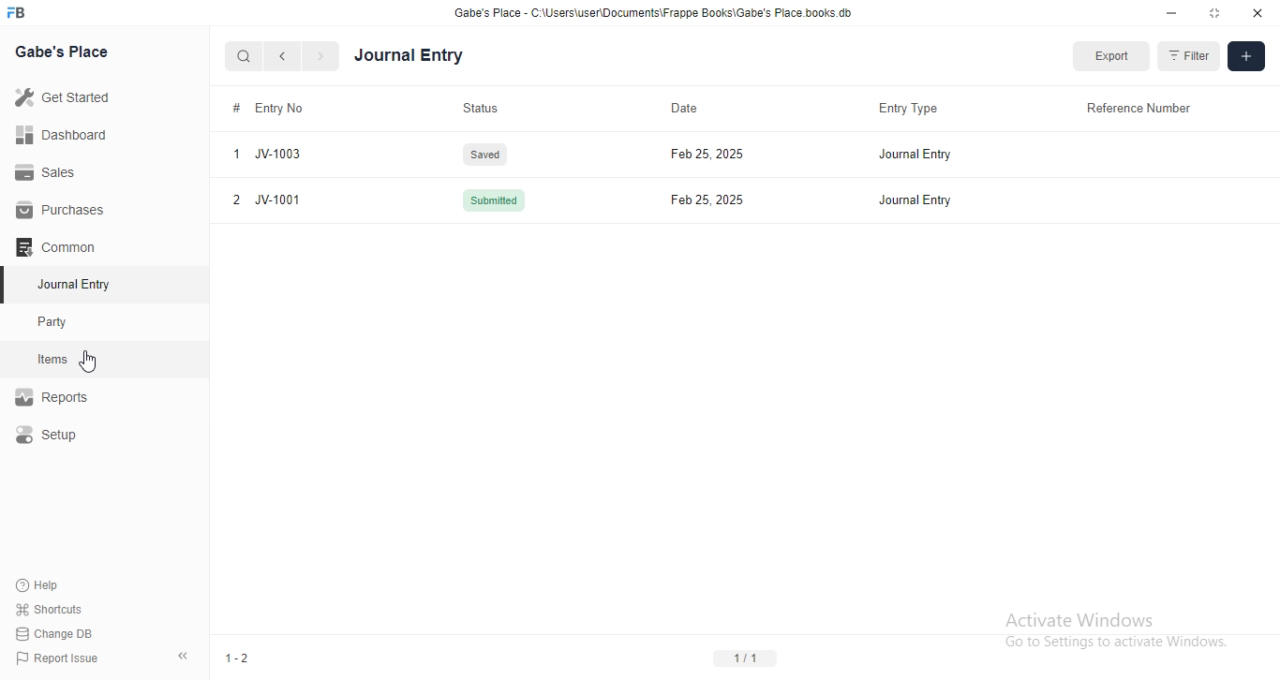 The height and width of the screenshot is (680, 1280). I want to click on Export., so click(1112, 56).